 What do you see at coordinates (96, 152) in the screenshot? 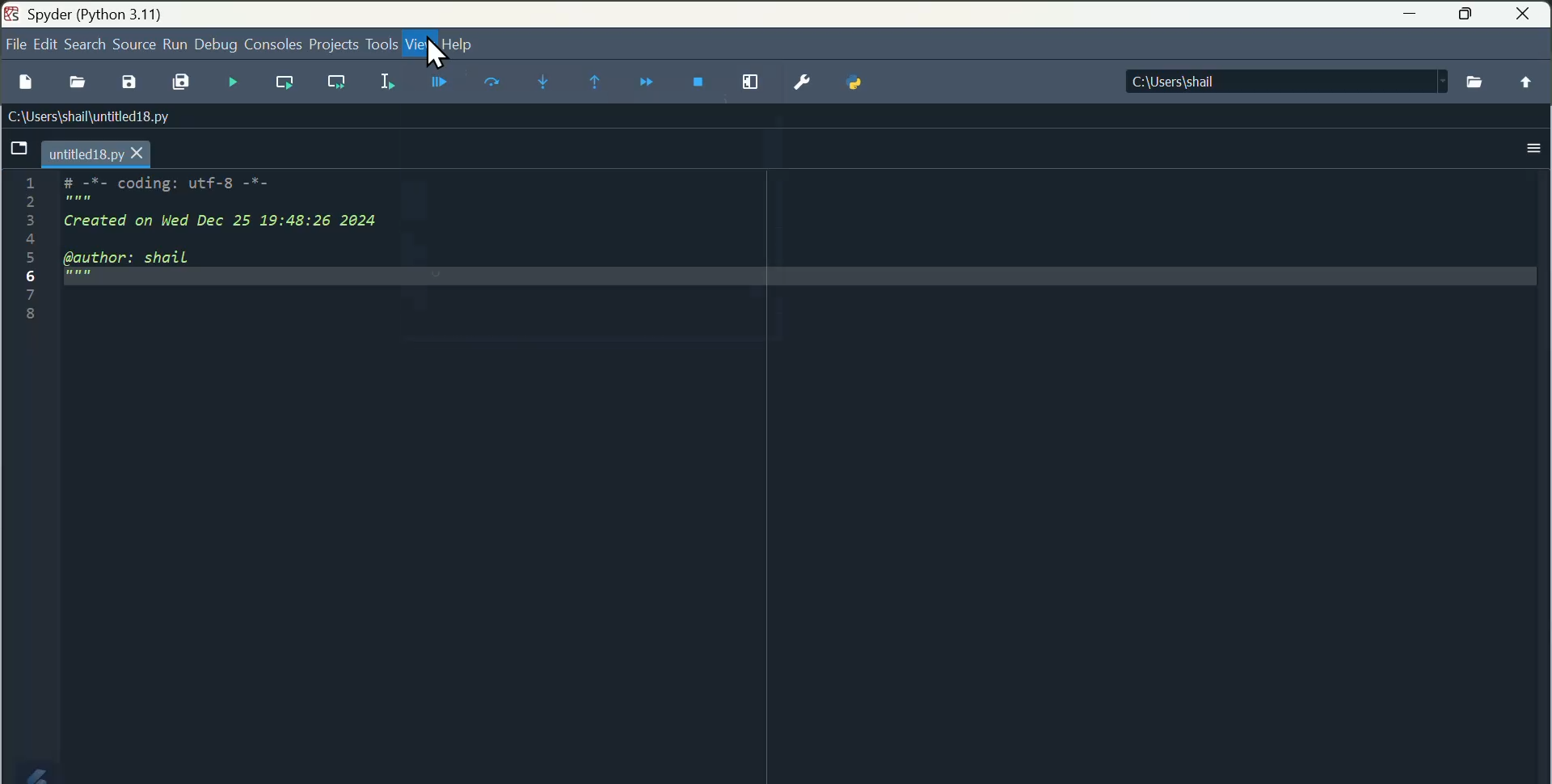
I see `untitled18.Py` at bounding box center [96, 152].